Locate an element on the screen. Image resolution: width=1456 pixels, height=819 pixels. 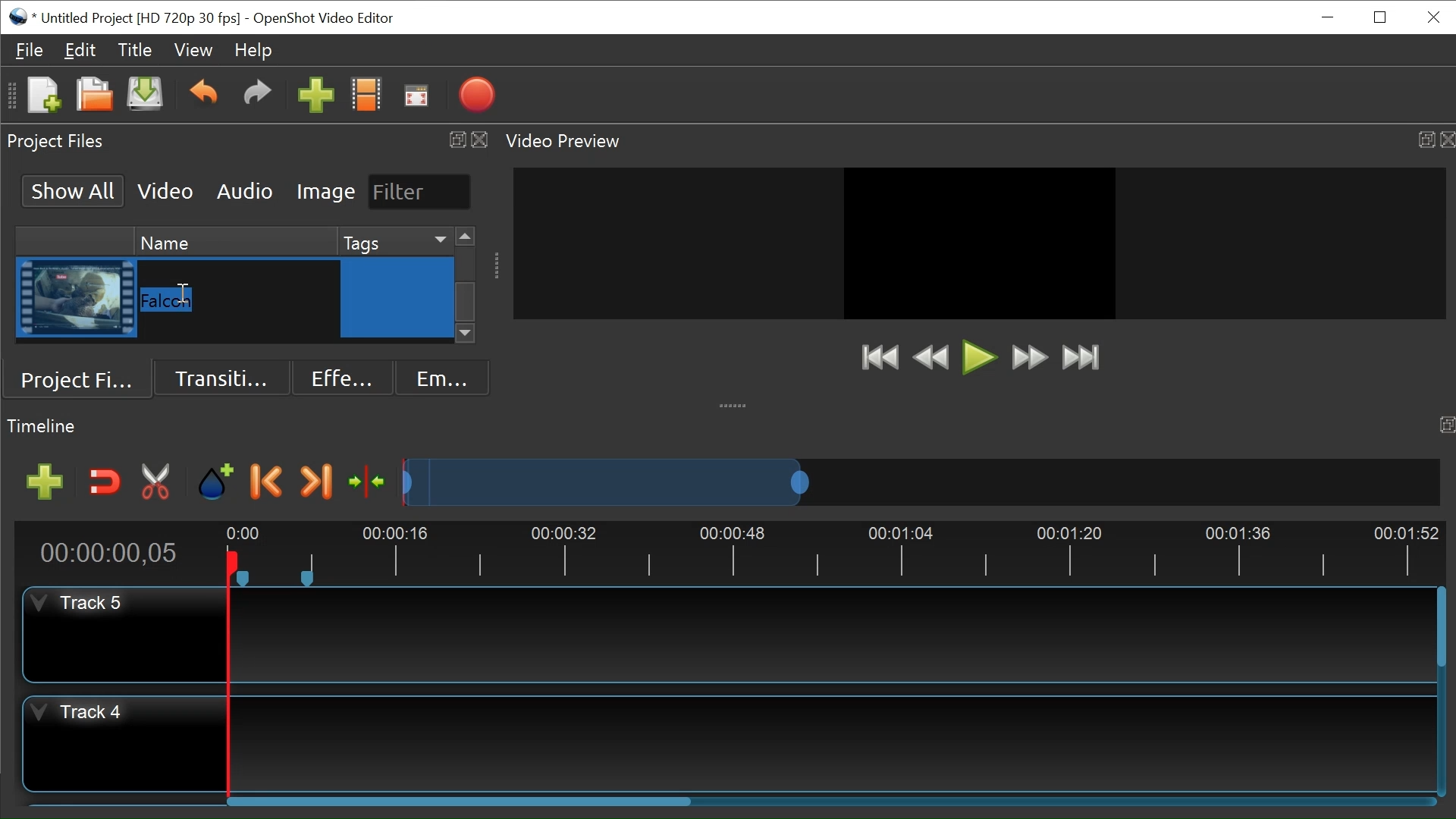
Previous marker is located at coordinates (269, 484).